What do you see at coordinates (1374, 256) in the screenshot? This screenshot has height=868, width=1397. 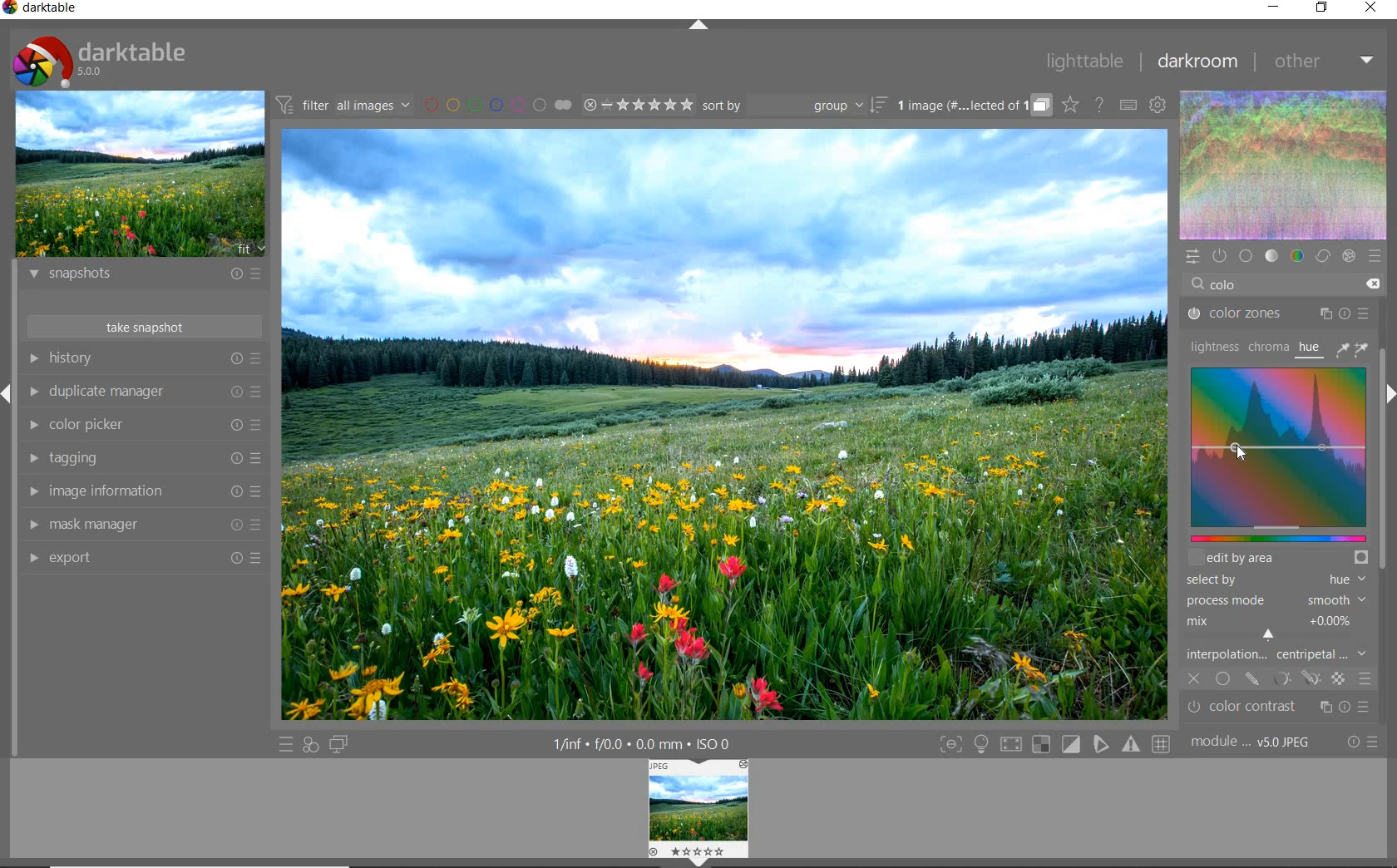 I see `presets` at bounding box center [1374, 256].